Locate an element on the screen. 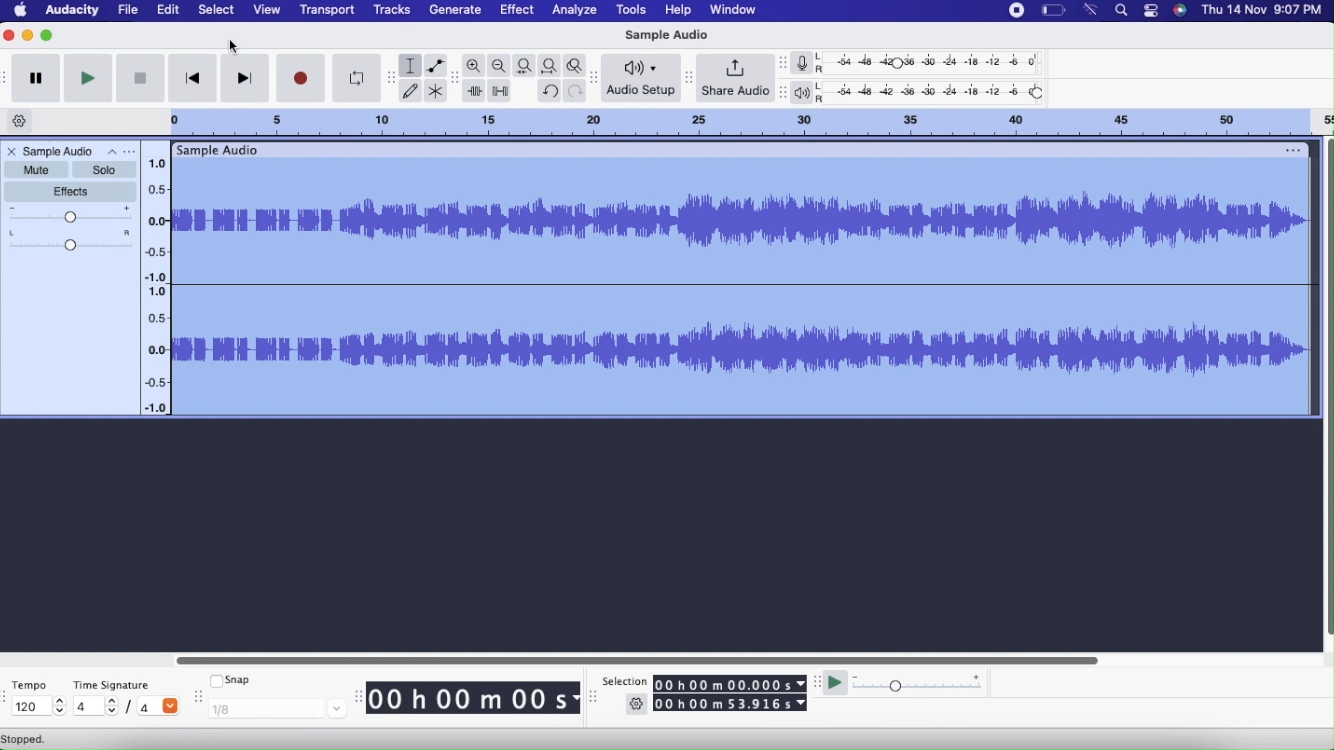 The width and height of the screenshot is (1334, 750). Recording level is located at coordinates (935, 61).